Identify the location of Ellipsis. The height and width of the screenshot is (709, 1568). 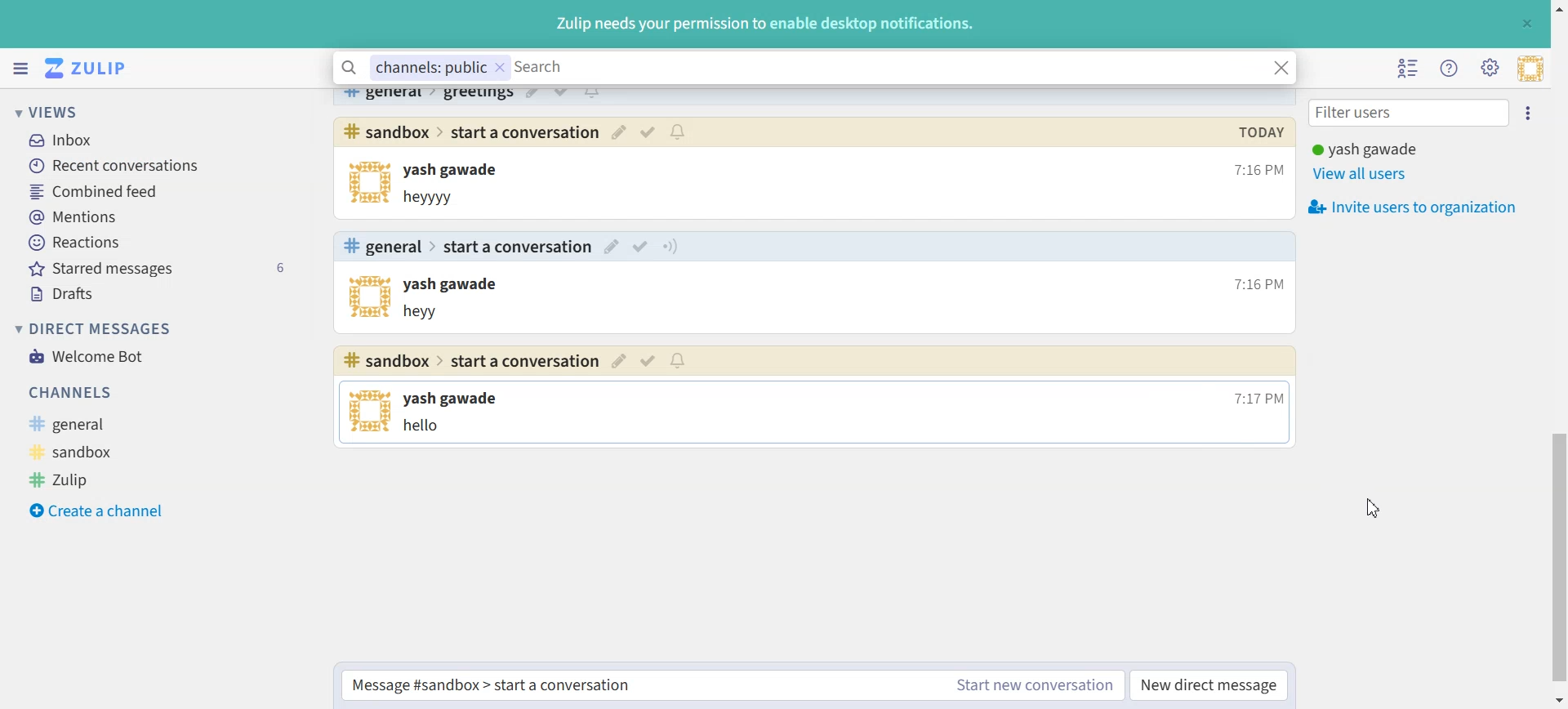
(1532, 114).